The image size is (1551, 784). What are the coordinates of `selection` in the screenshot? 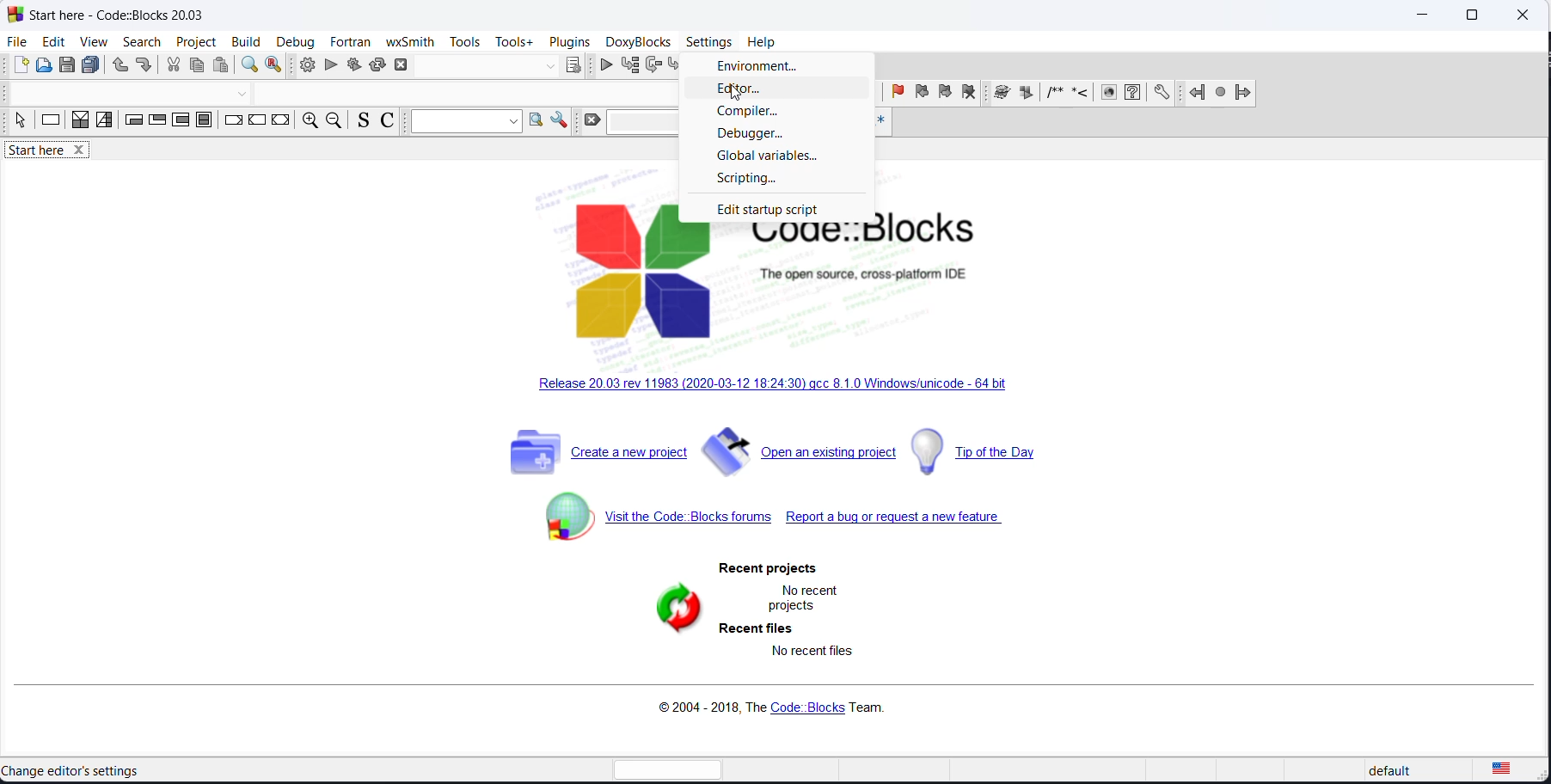 It's located at (104, 123).